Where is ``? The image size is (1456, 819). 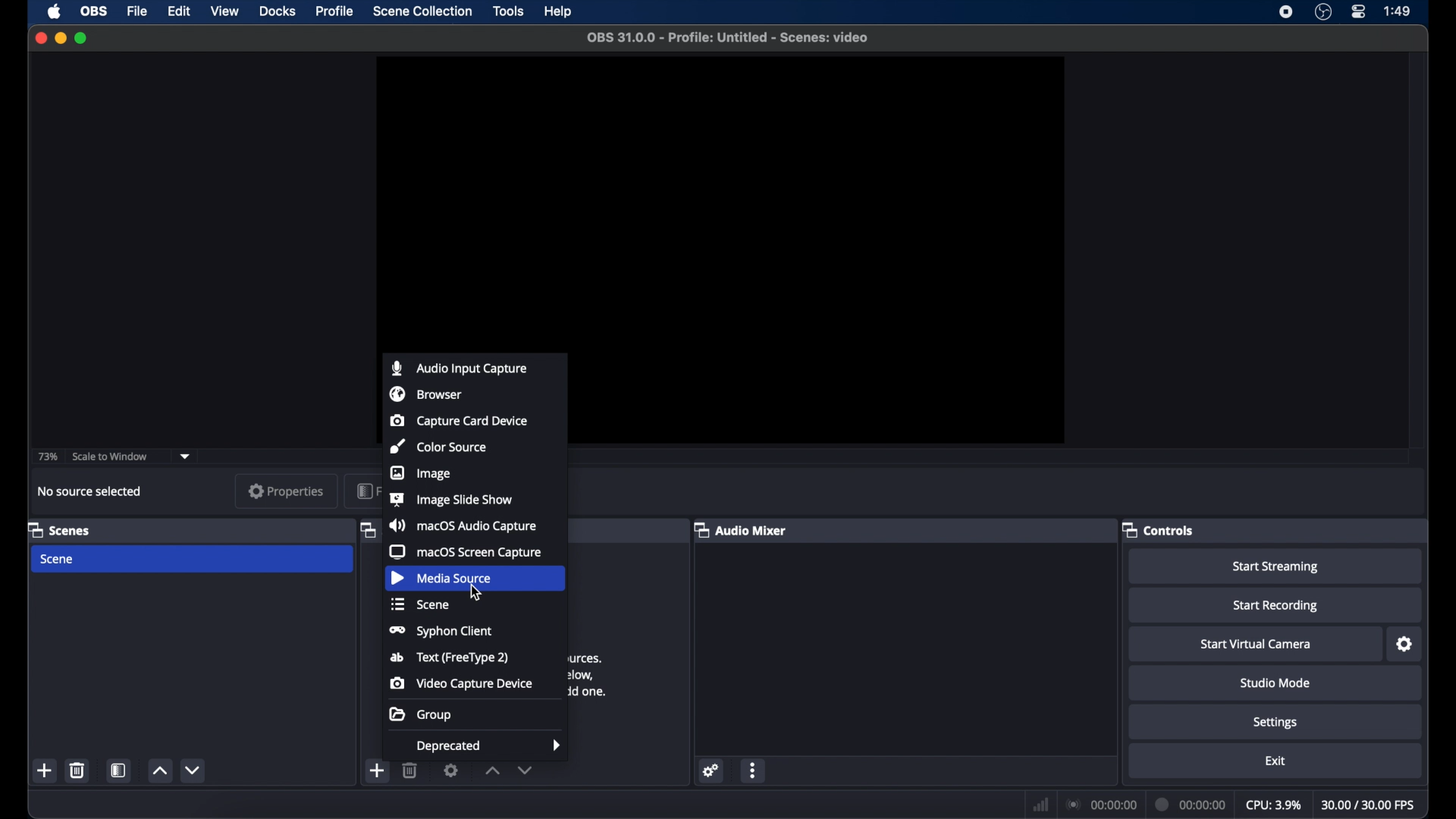
 is located at coordinates (1101, 804).